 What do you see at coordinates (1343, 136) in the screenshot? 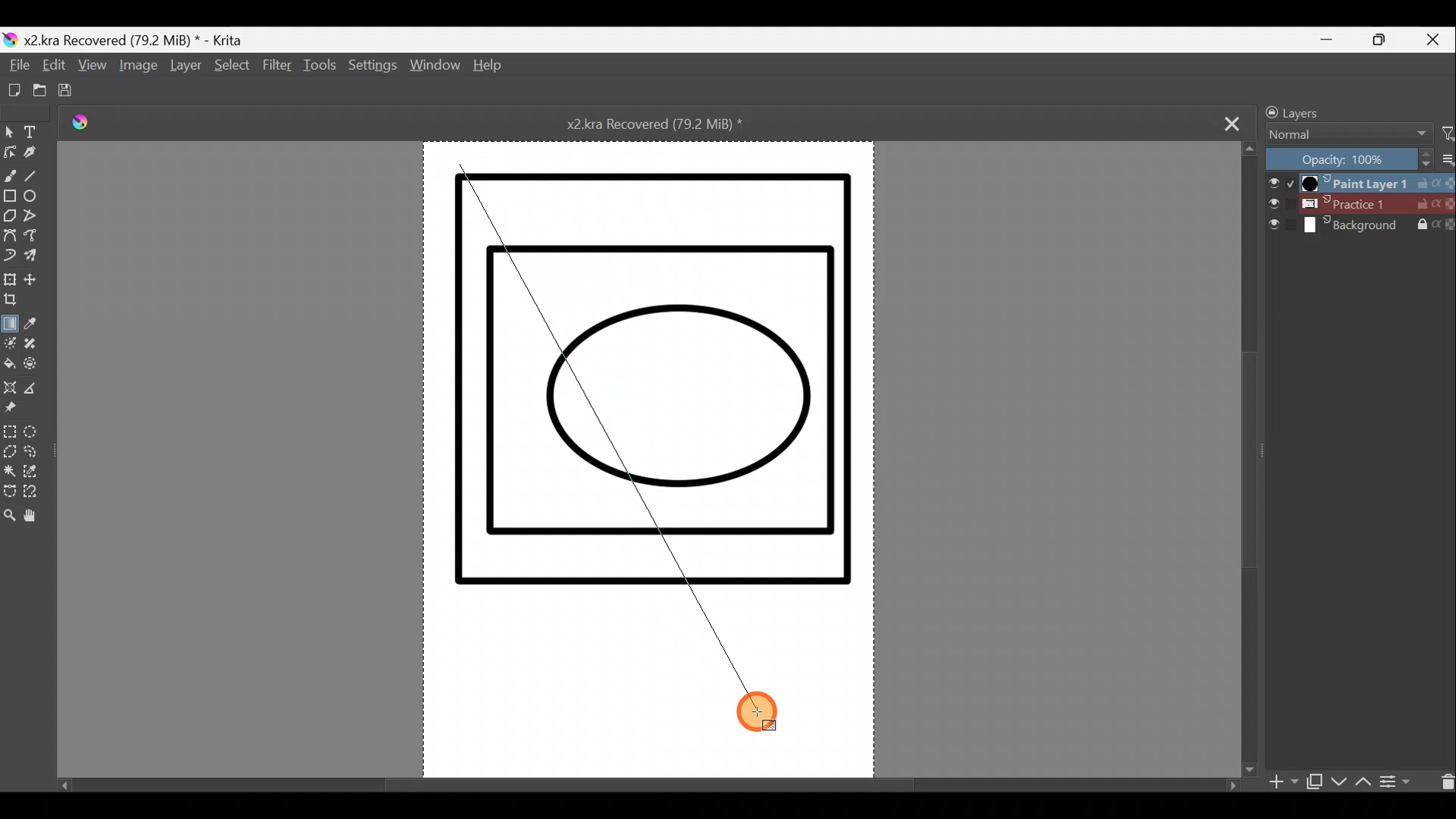
I see `Blending mode` at bounding box center [1343, 136].